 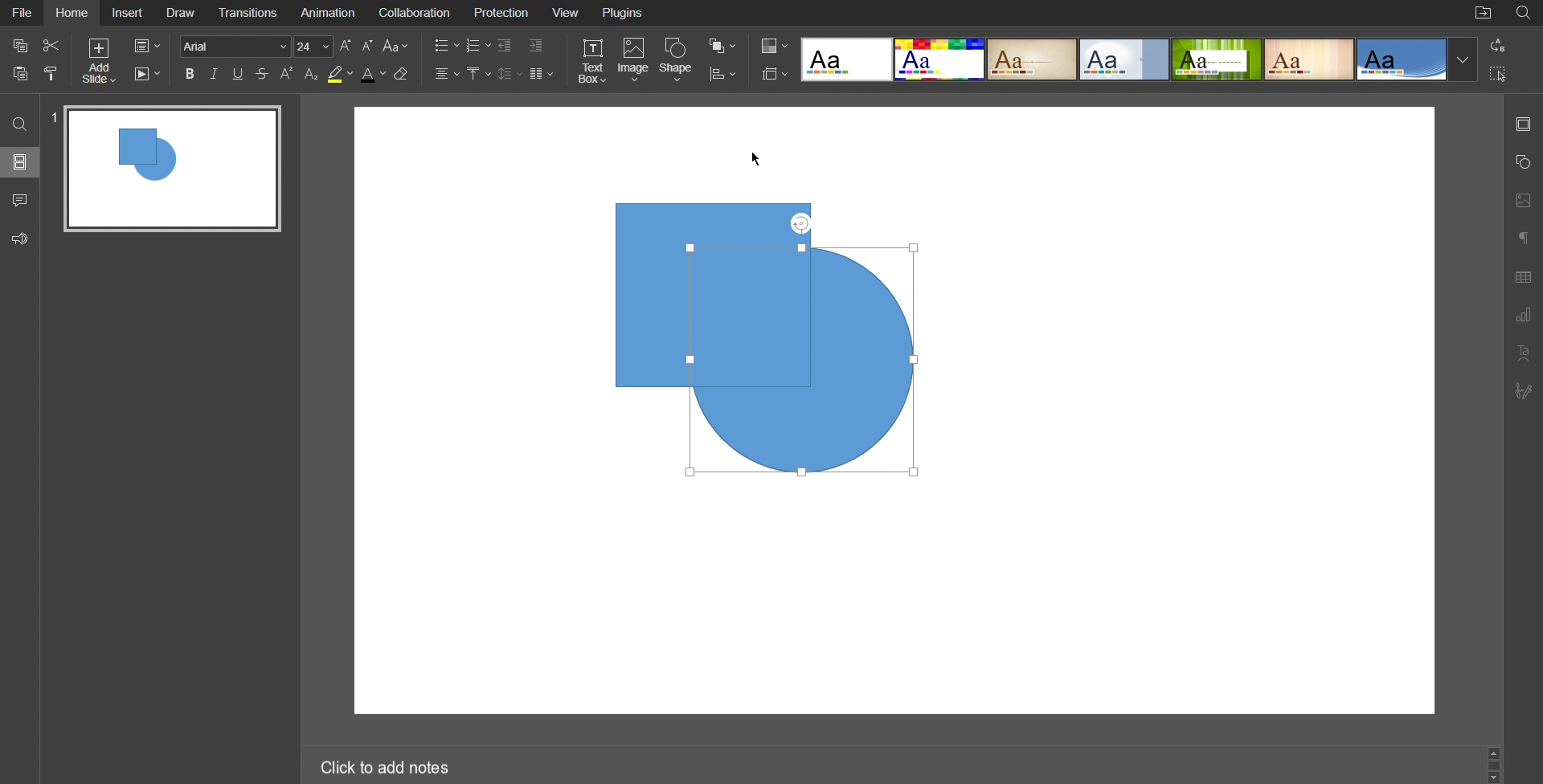 I want to click on Arial, so click(x=235, y=46).